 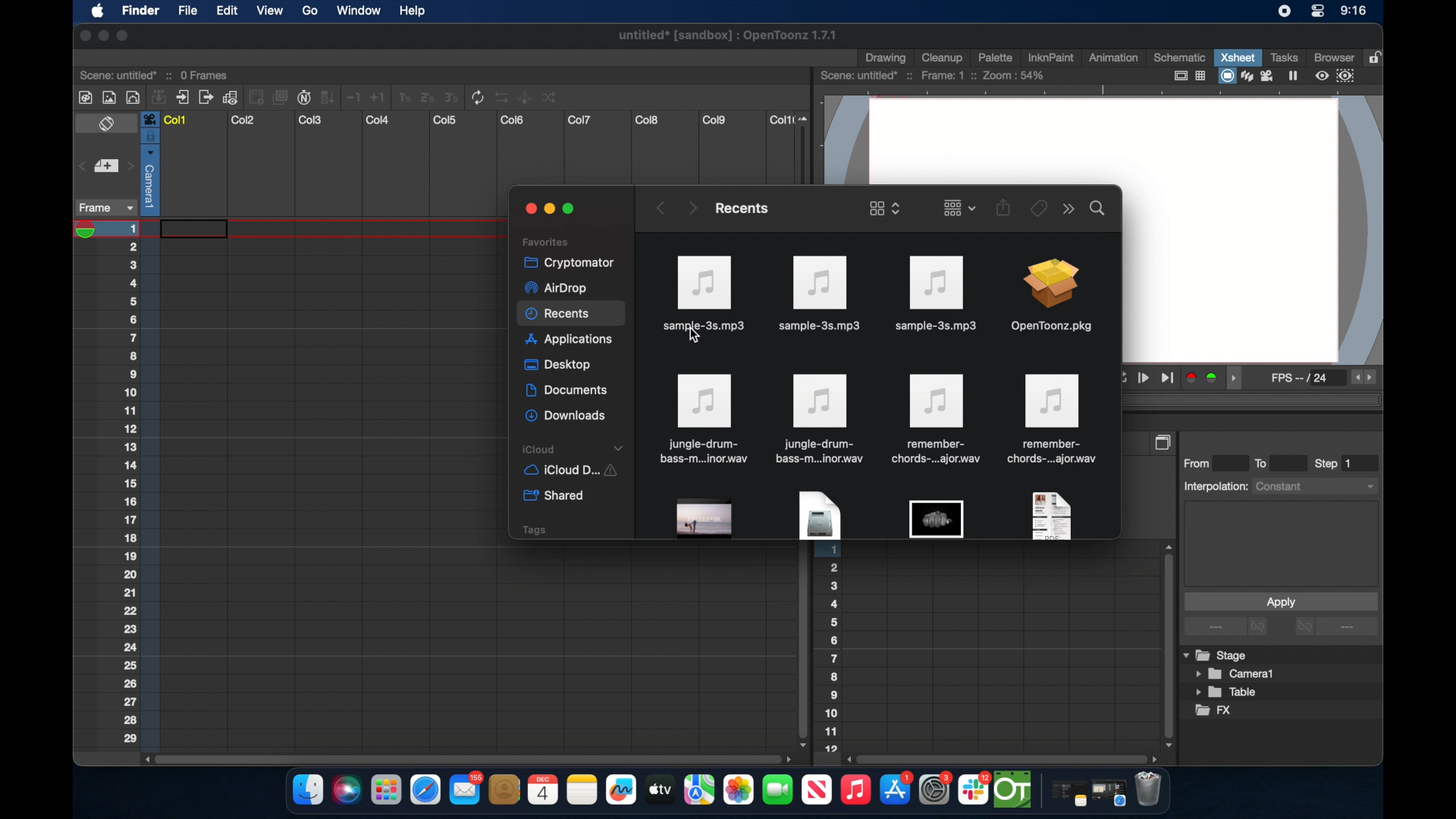 I want to click on previous, so click(x=659, y=208).